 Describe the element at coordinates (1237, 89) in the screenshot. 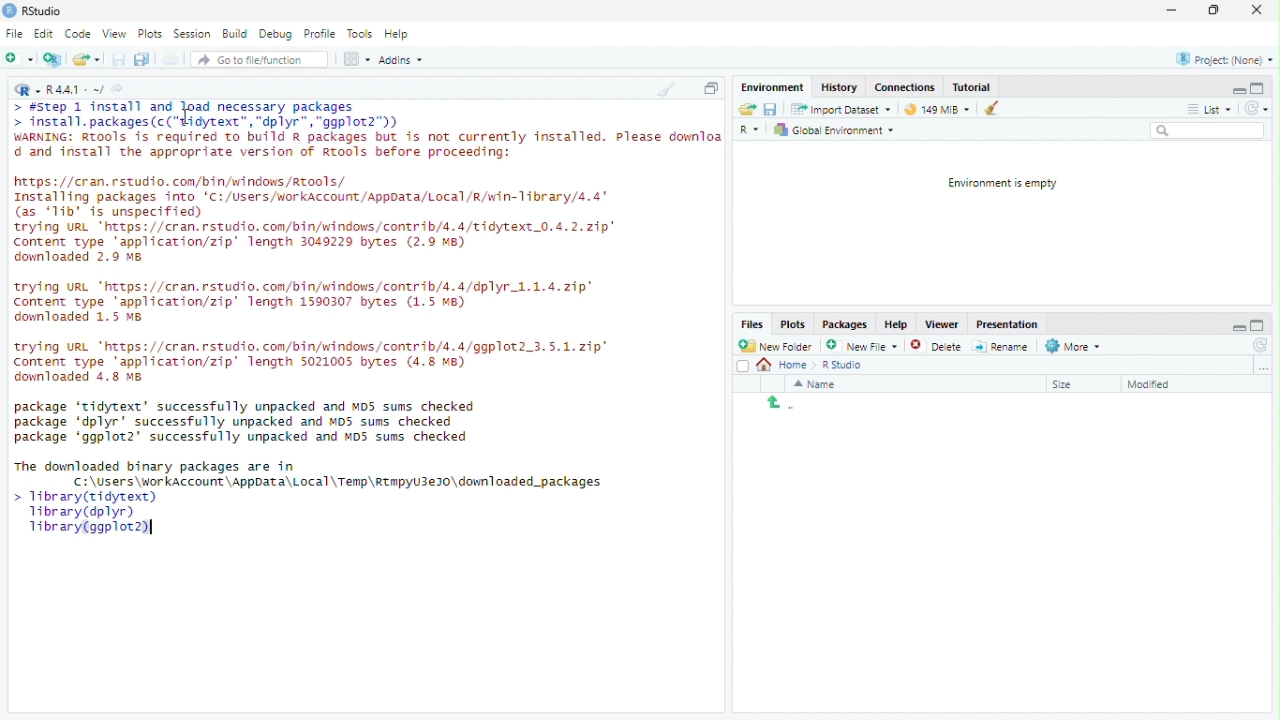

I see `Minimize` at that location.